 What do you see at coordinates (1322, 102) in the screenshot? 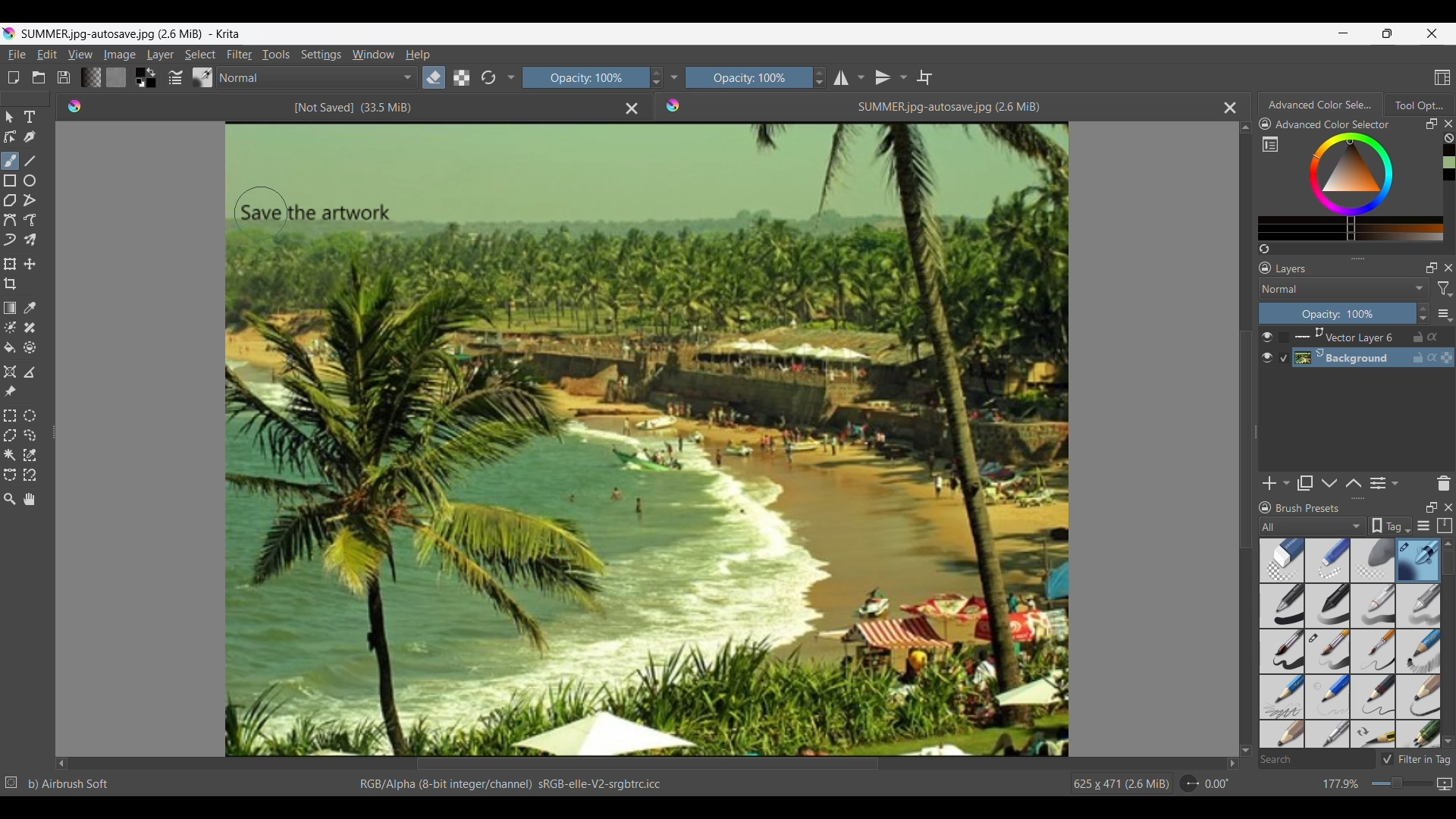
I see `Advanced color Selector` at bounding box center [1322, 102].